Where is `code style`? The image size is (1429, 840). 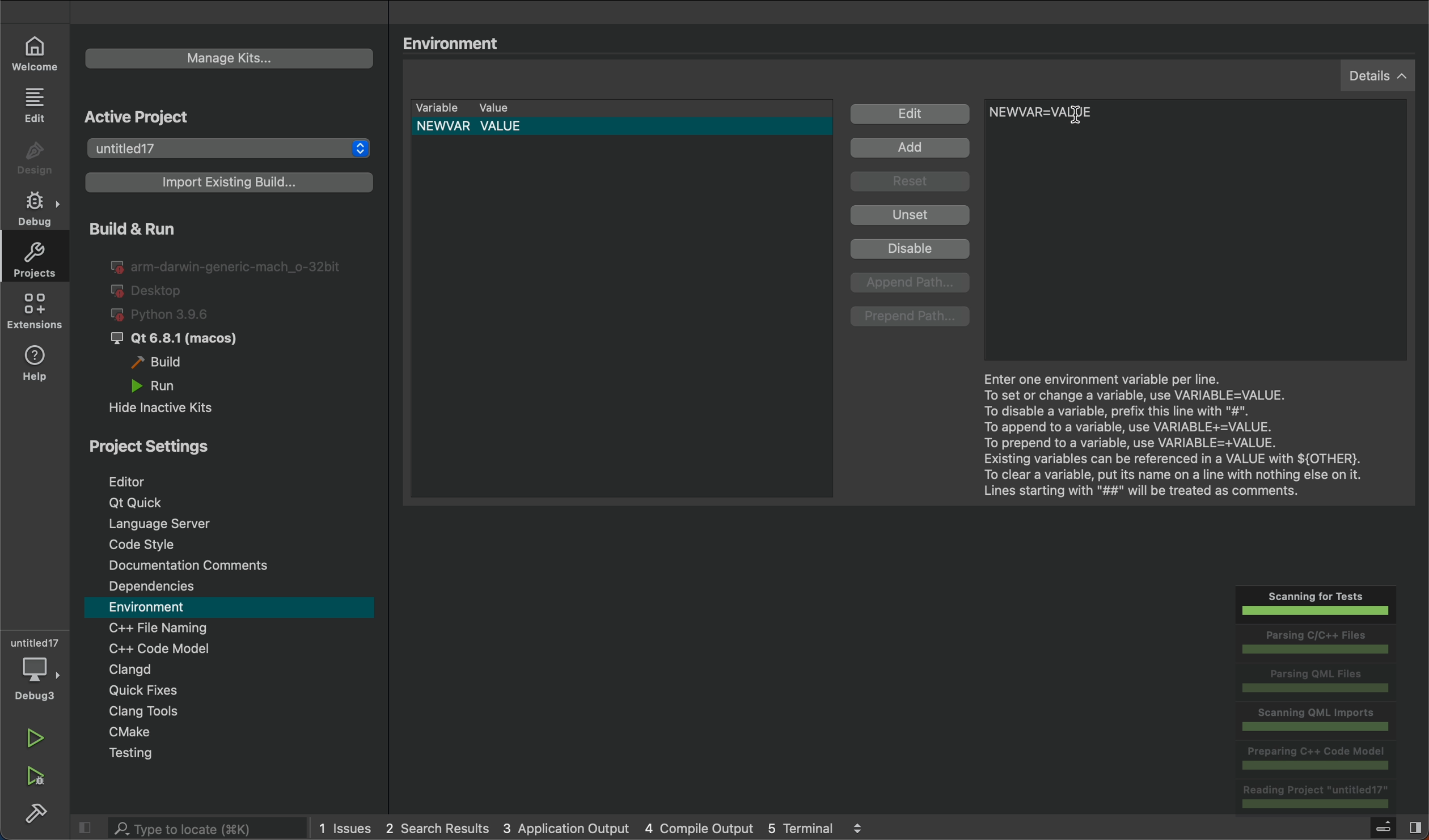
code style is located at coordinates (233, 542).